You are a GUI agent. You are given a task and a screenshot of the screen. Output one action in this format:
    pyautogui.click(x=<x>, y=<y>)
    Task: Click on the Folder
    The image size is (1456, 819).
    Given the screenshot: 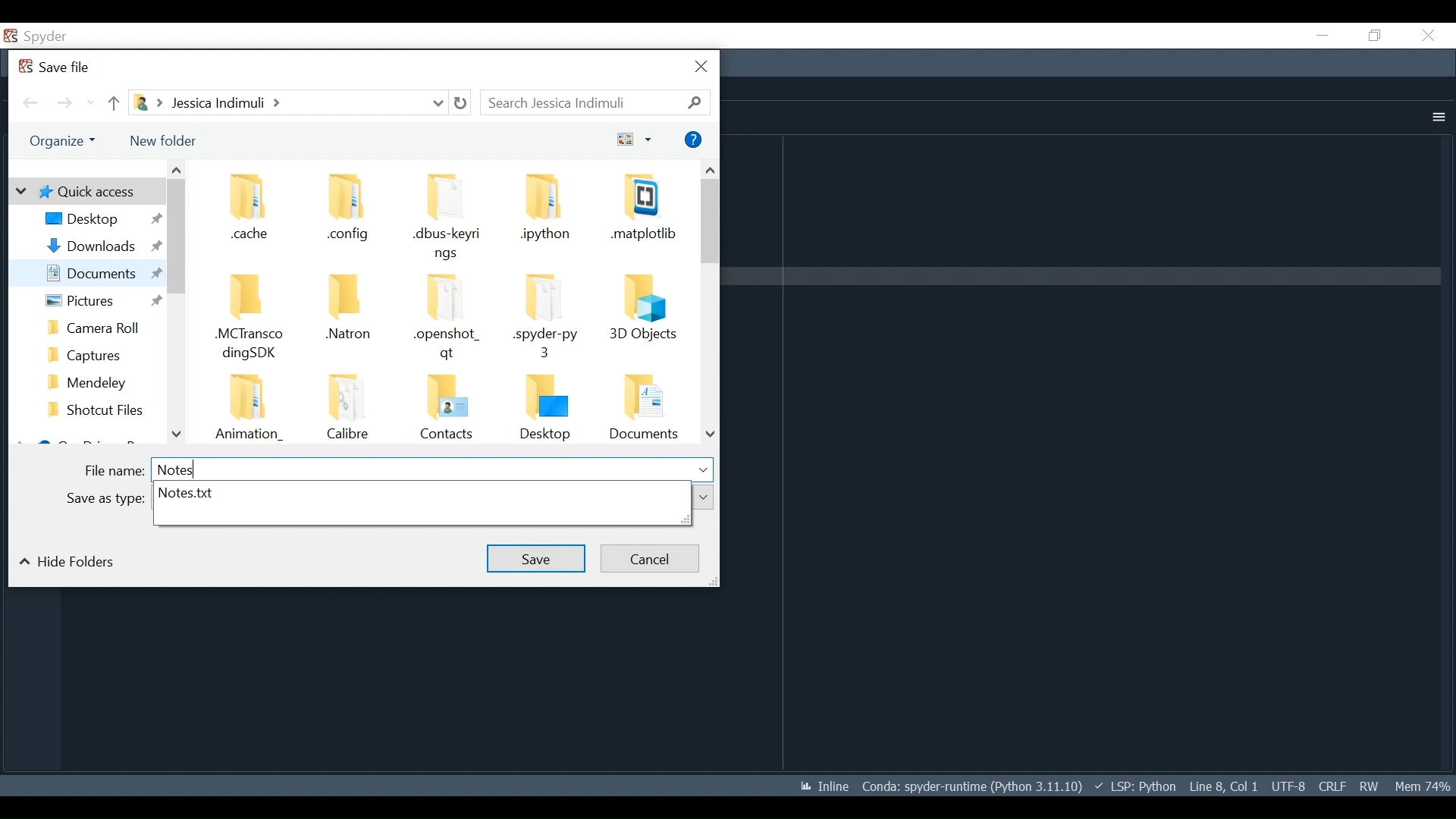 What is the action you would take?
    pyautogui.click(x=642, y=214)
    